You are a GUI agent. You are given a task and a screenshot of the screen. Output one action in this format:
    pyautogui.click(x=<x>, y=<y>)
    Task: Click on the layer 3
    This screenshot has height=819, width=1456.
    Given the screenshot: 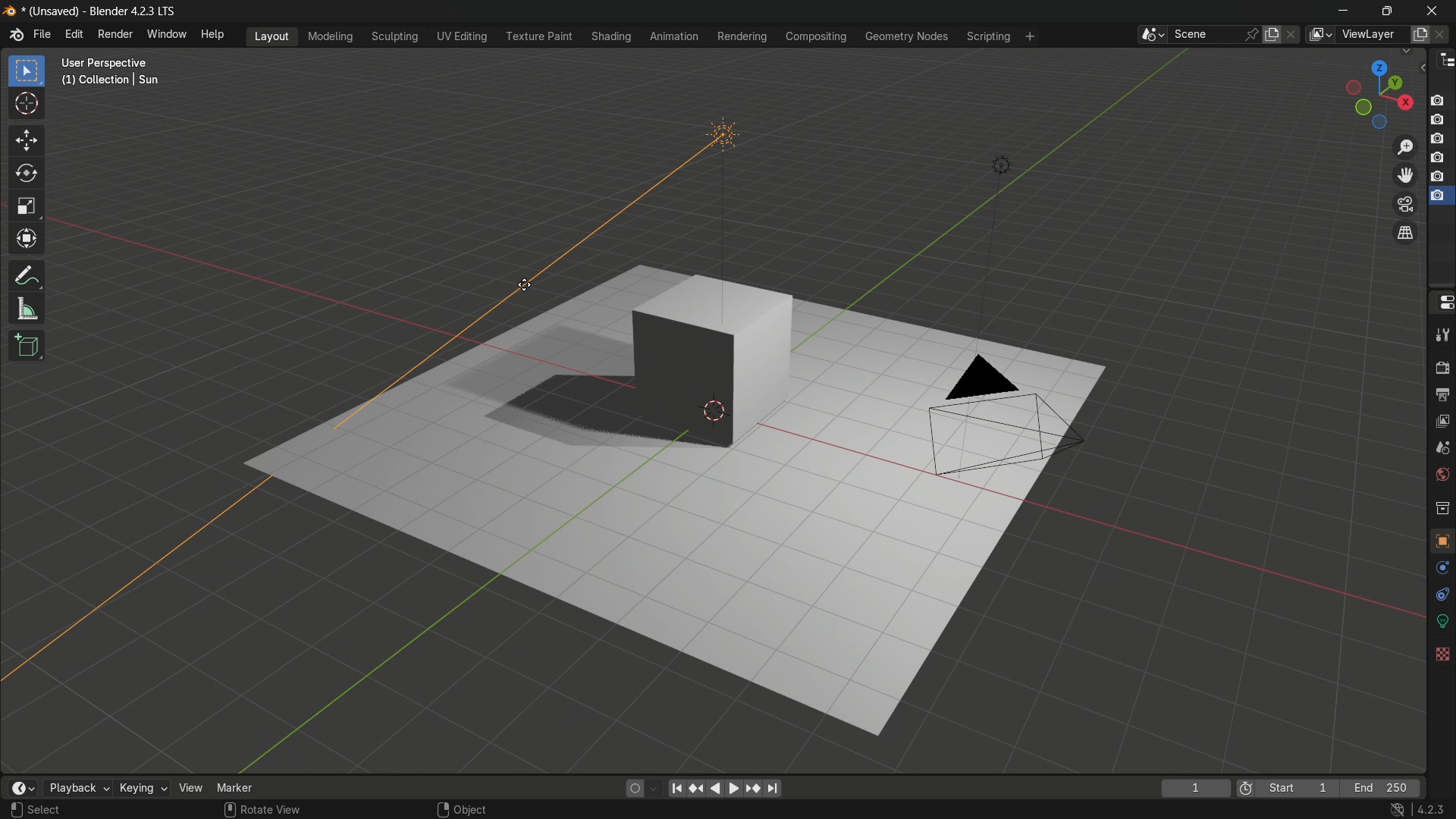 What is the action you would take?
    pyautogui.click(x=1438, y=138)
    